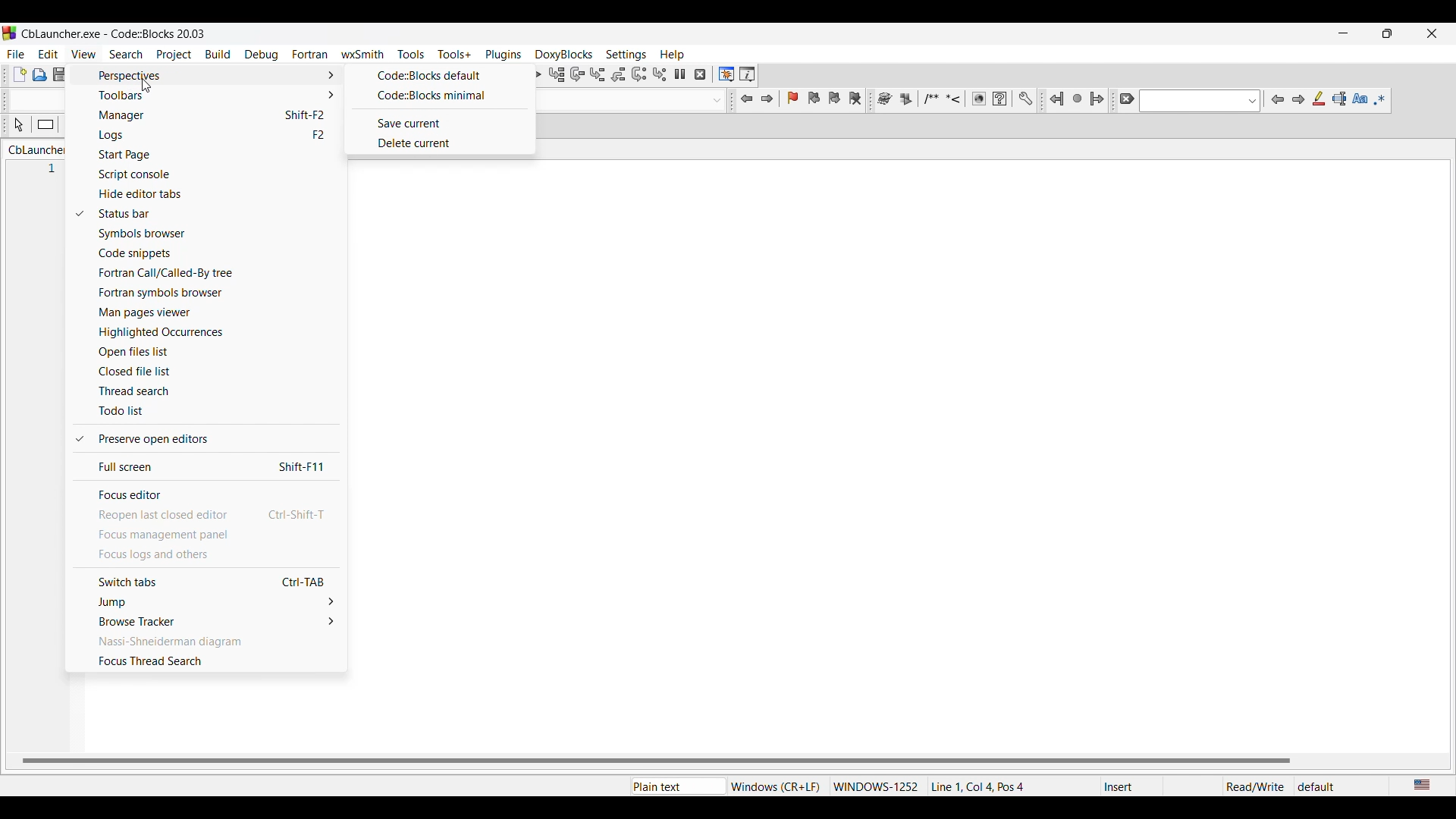 This screenshot has height=819, width=1456. What do you see at coordinates (1432, 33) in the screenshot?
I see `Close interface` at bounding box center [1432, 33].